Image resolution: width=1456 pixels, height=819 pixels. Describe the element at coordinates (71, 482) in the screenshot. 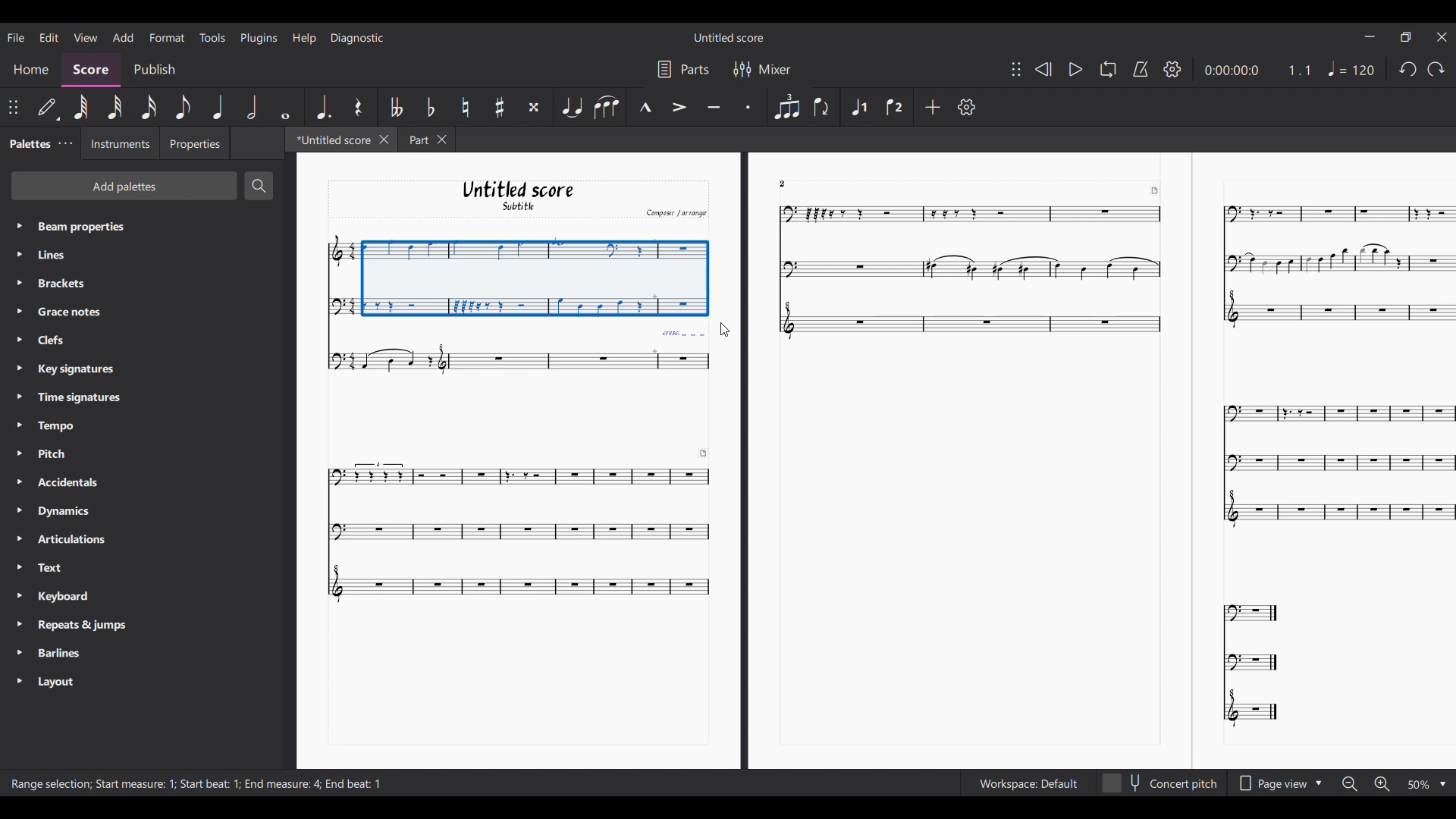

I see `Accidentals` at that location.